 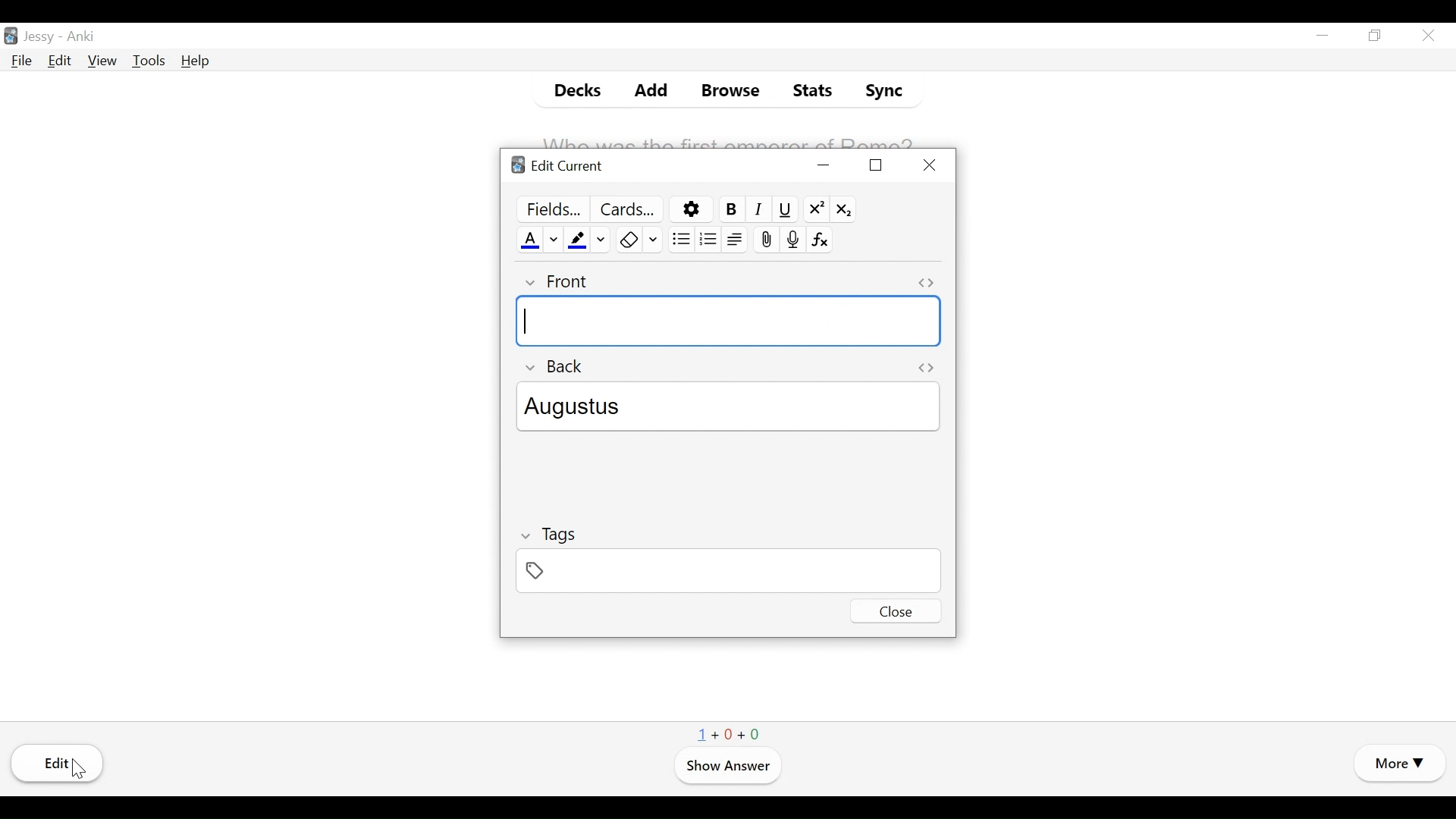 I want to click on Italics, so click(x=758, y=209).